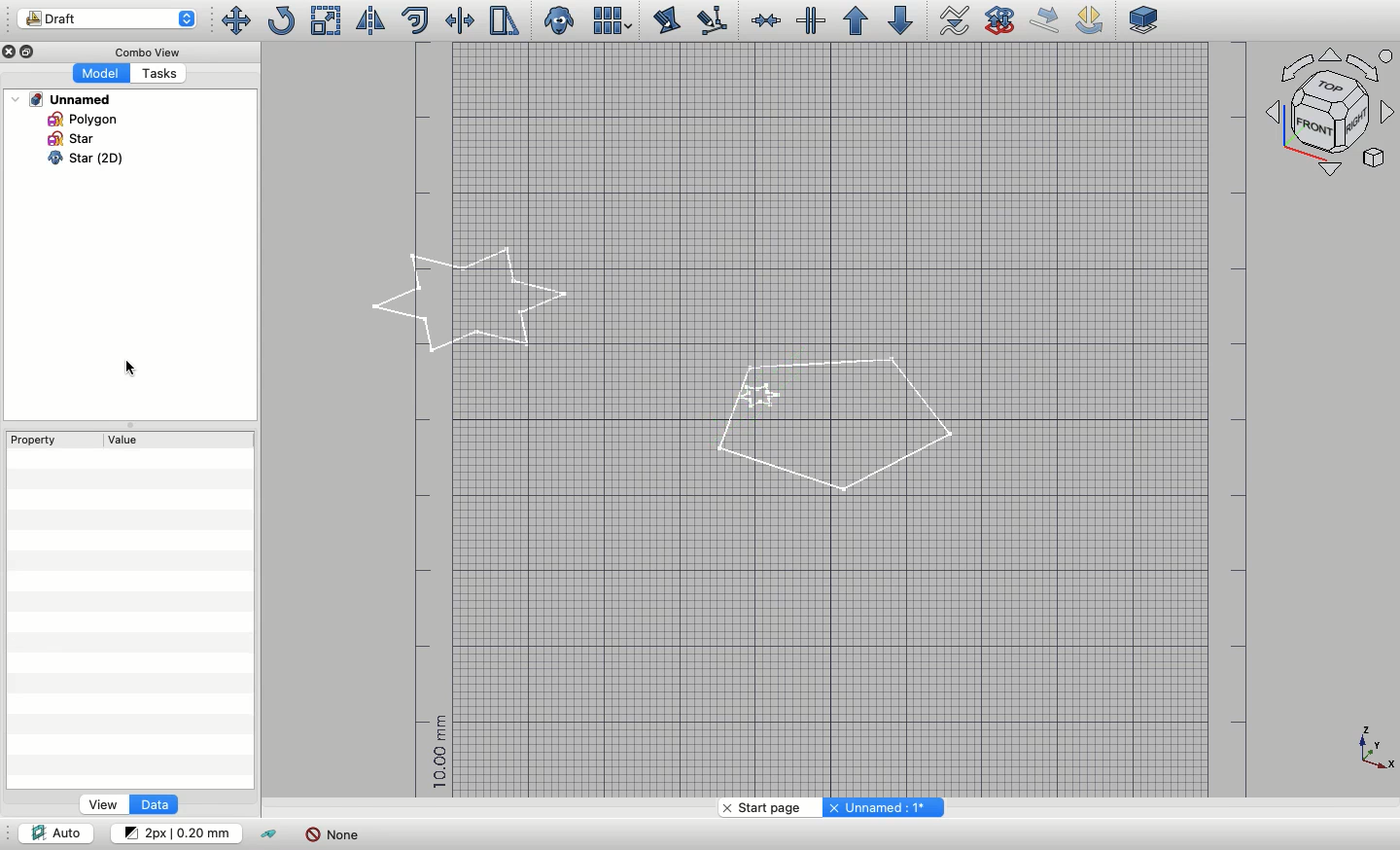 This screenshot has width=1400, height=850. I want to click on Cursor, so click(132, 367).